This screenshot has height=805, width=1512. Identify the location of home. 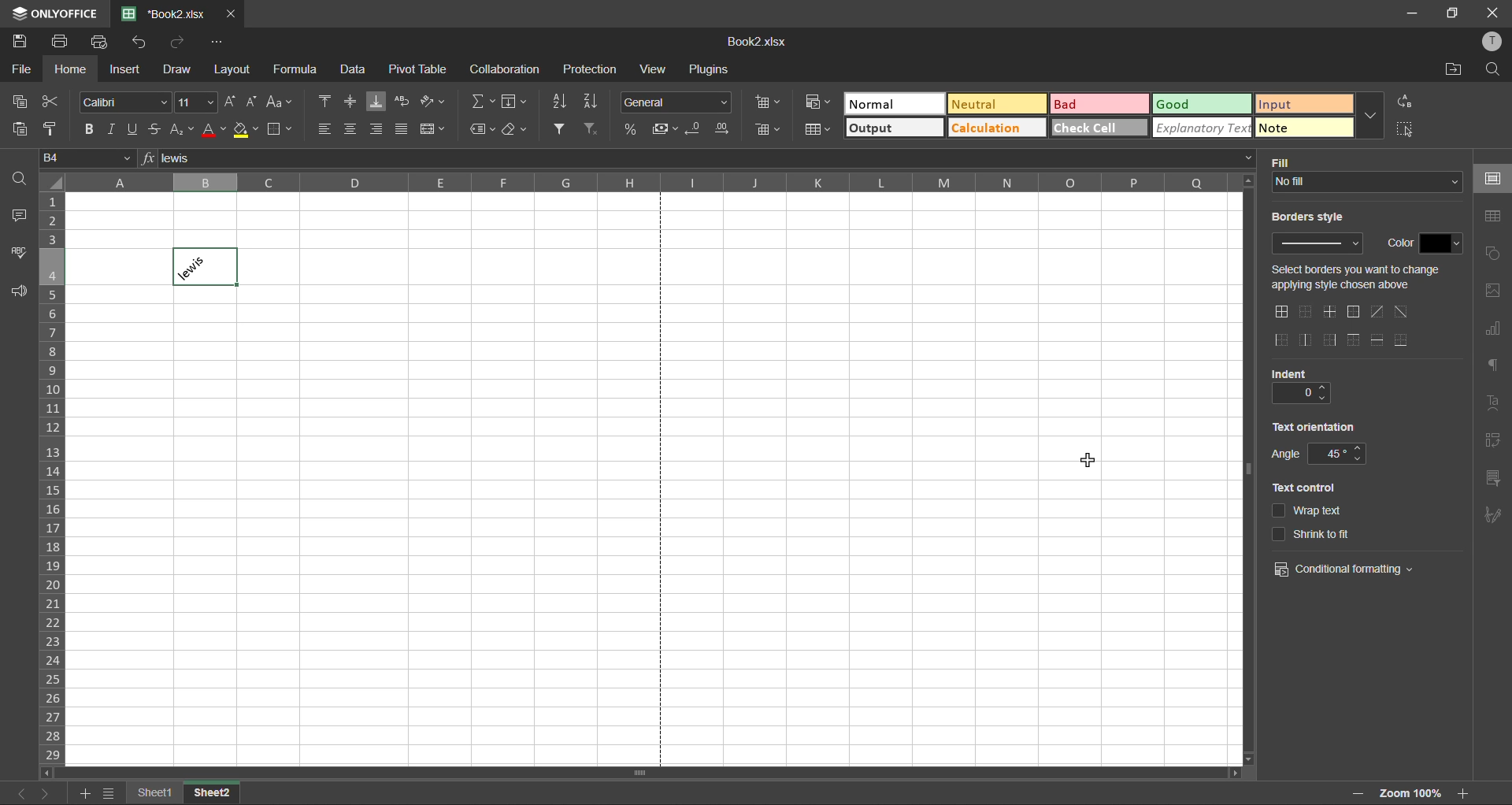
(70, 70).